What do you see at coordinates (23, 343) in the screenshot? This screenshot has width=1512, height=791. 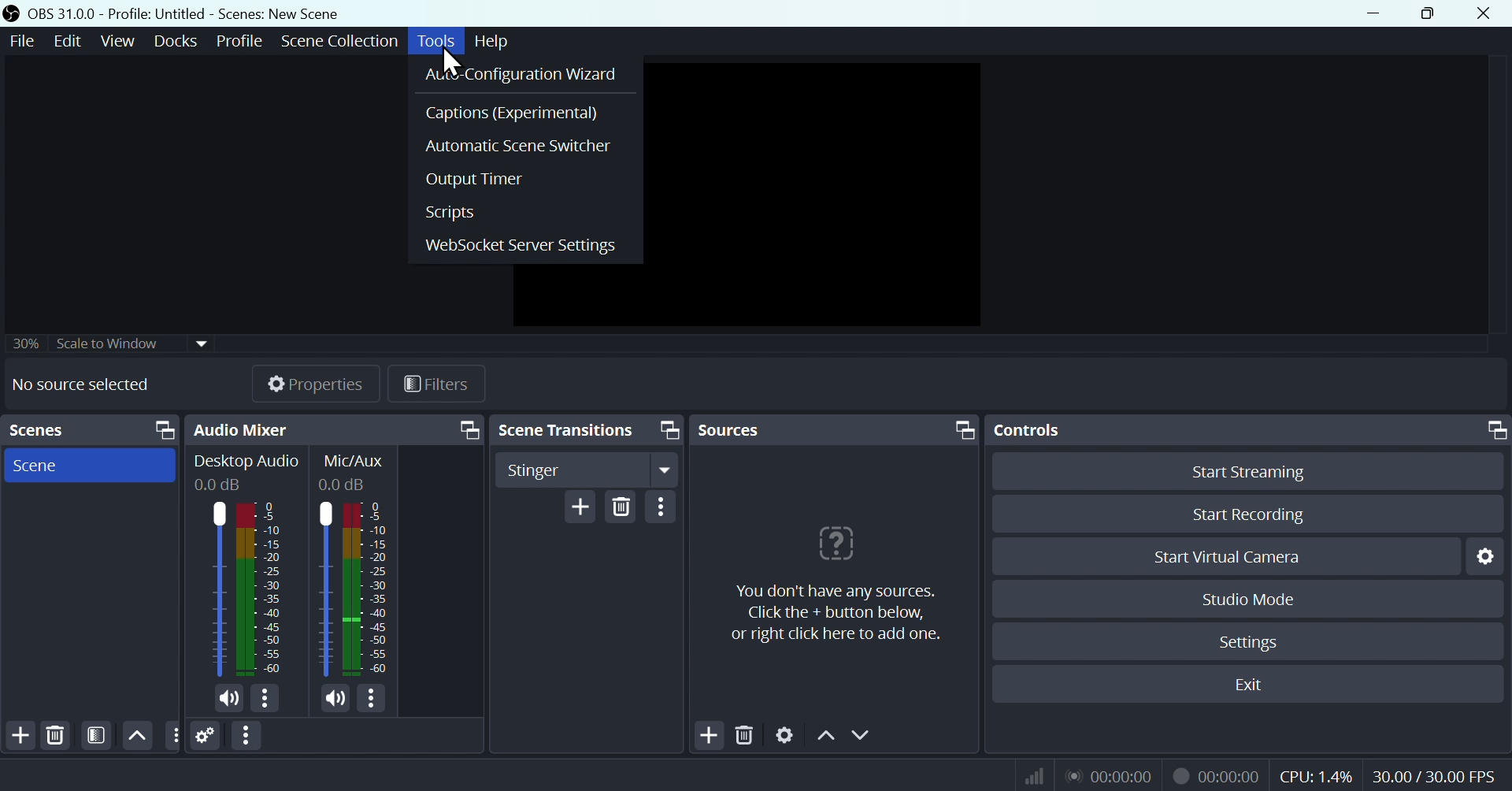 I see `30%` at bounding box center [23, 343].